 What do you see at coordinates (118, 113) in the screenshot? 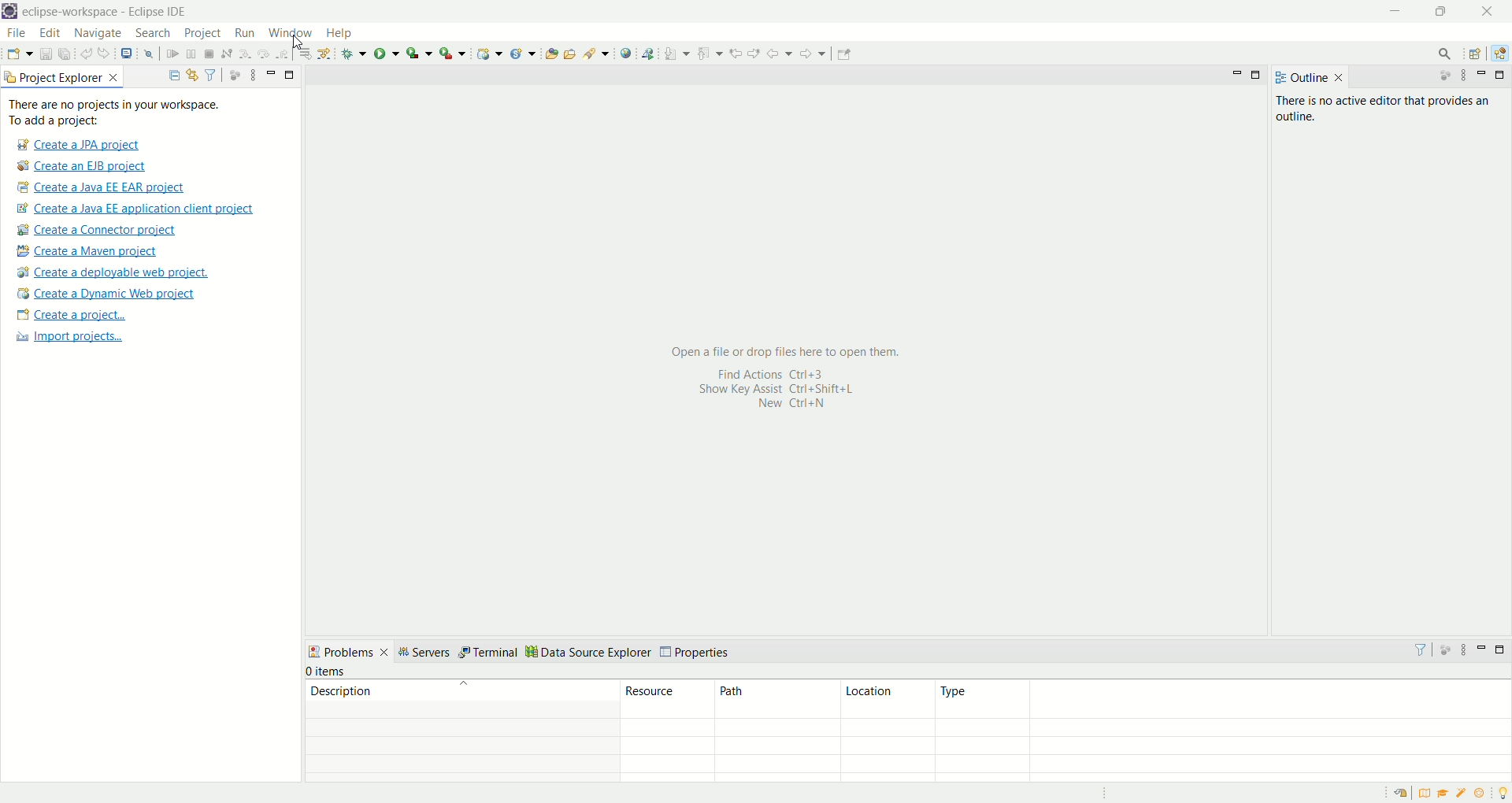
I see `There are no projects in your workspace. To add a project:` at bounding box center [118, 113].